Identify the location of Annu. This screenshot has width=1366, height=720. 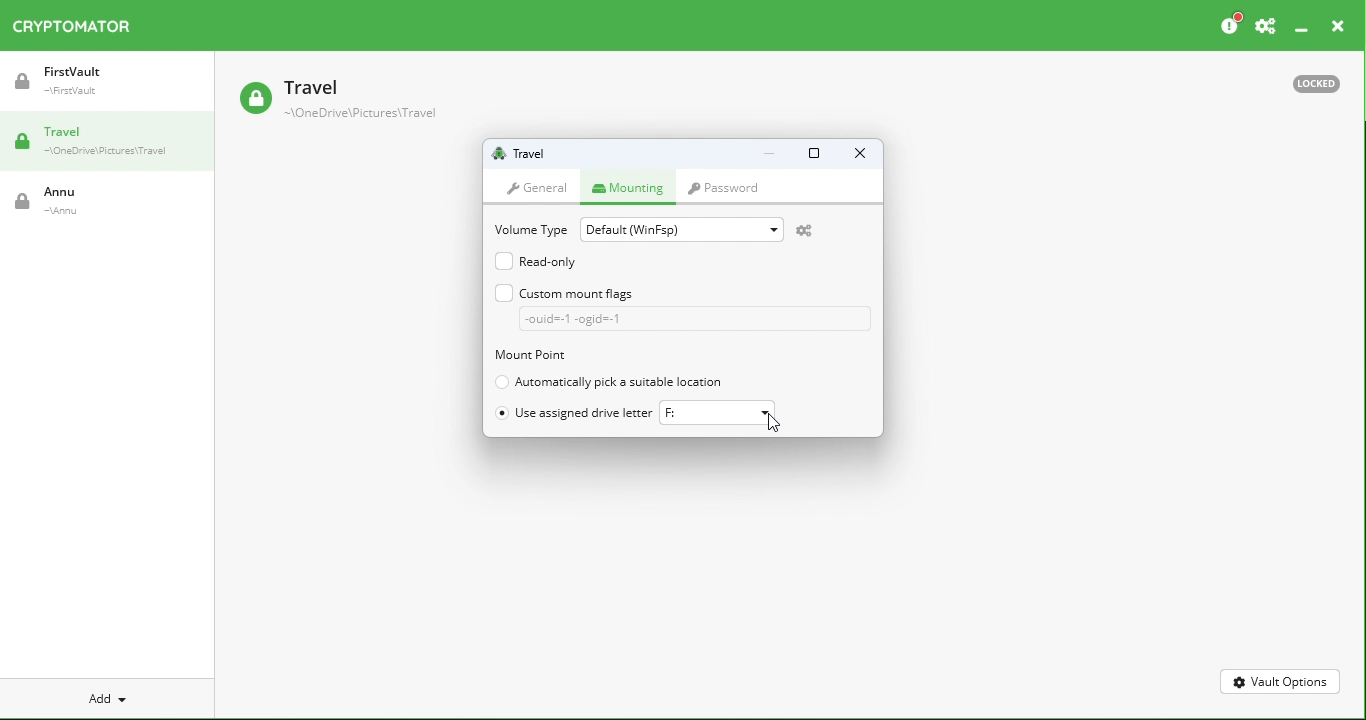
(63, 205).